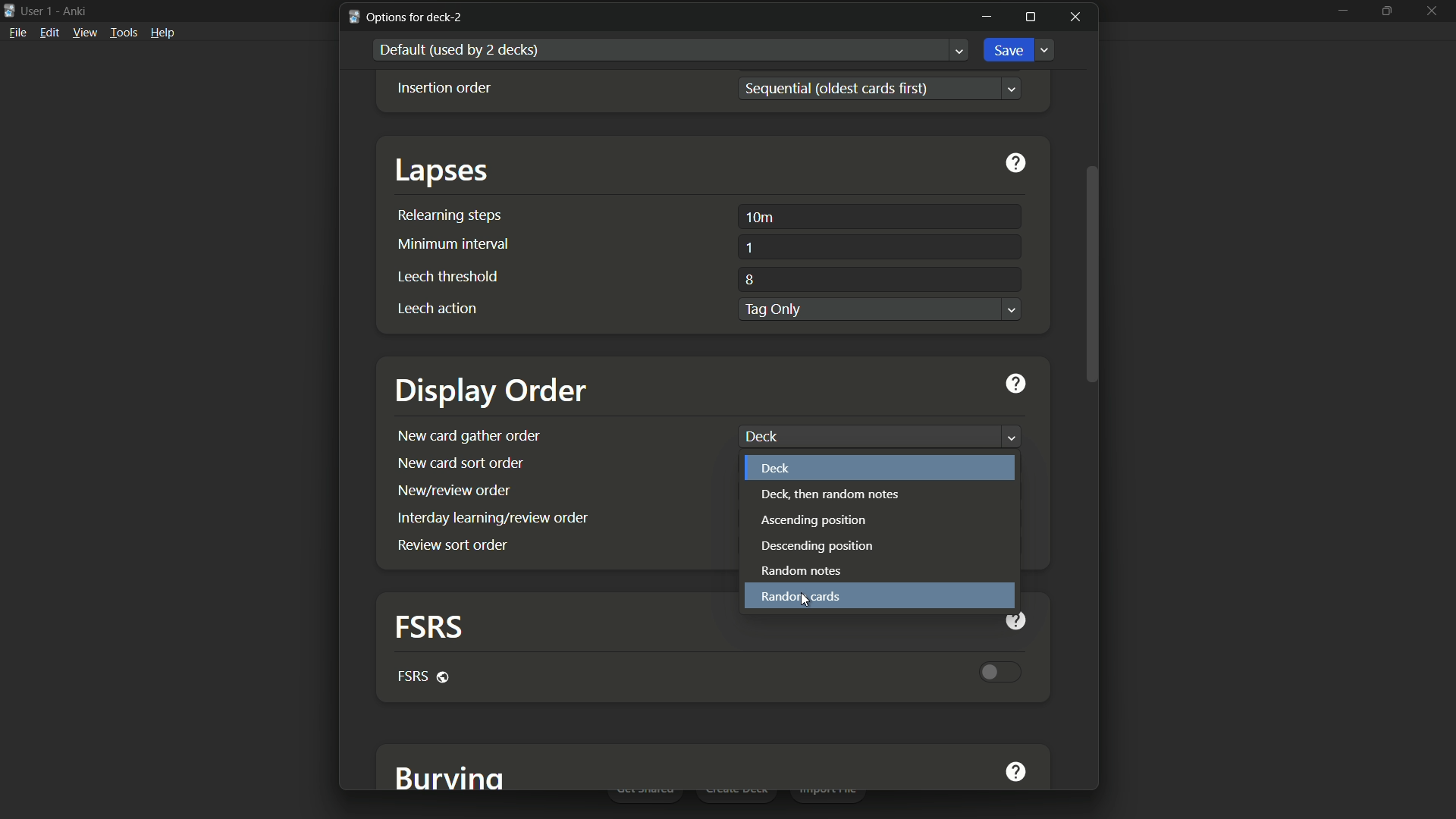  What do you see at coordinates (461, 49) in the screenshot?
I see `default used by 2 decks` at bounding box center [461, 49].